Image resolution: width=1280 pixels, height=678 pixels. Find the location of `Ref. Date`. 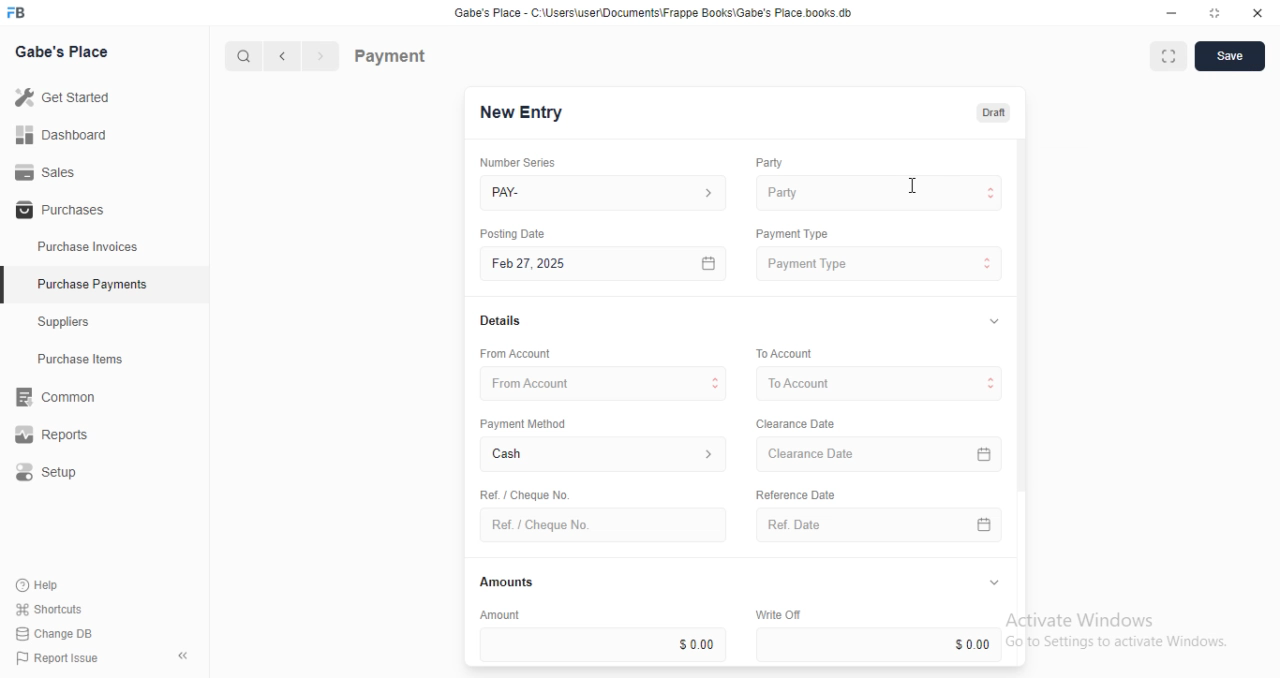

Ref. Date is located at coordinates (879, 525).